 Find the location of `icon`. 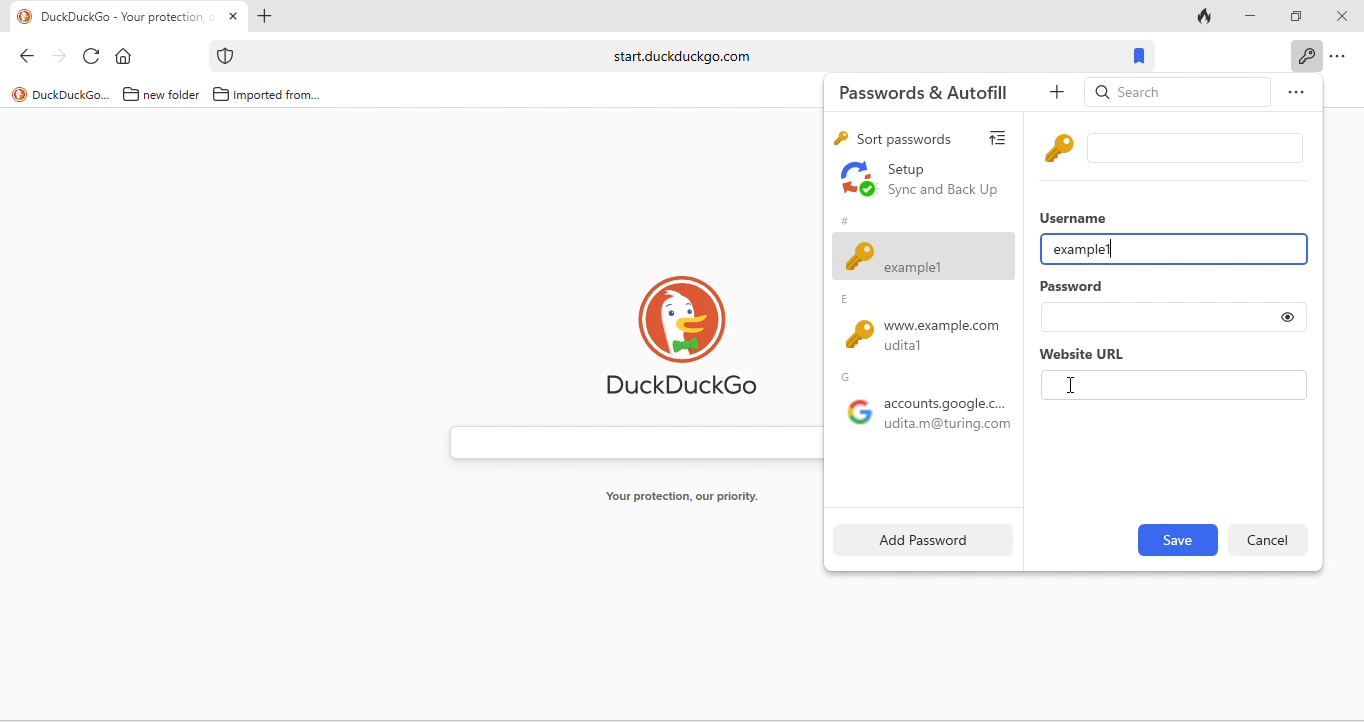

icon is located at coordinates (227, 56).